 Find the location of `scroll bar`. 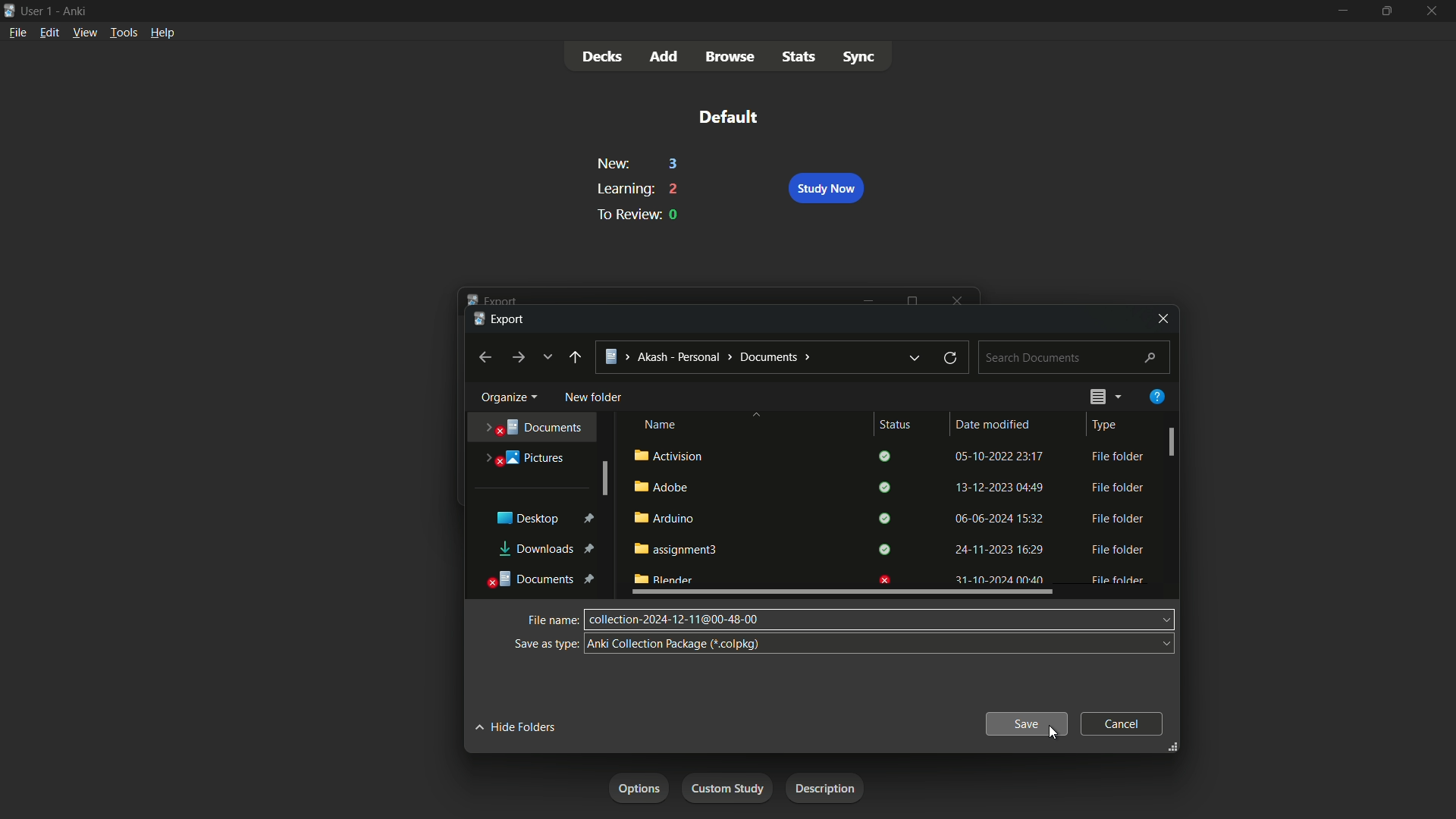

scroll bar is located at coordinates (843, 592).